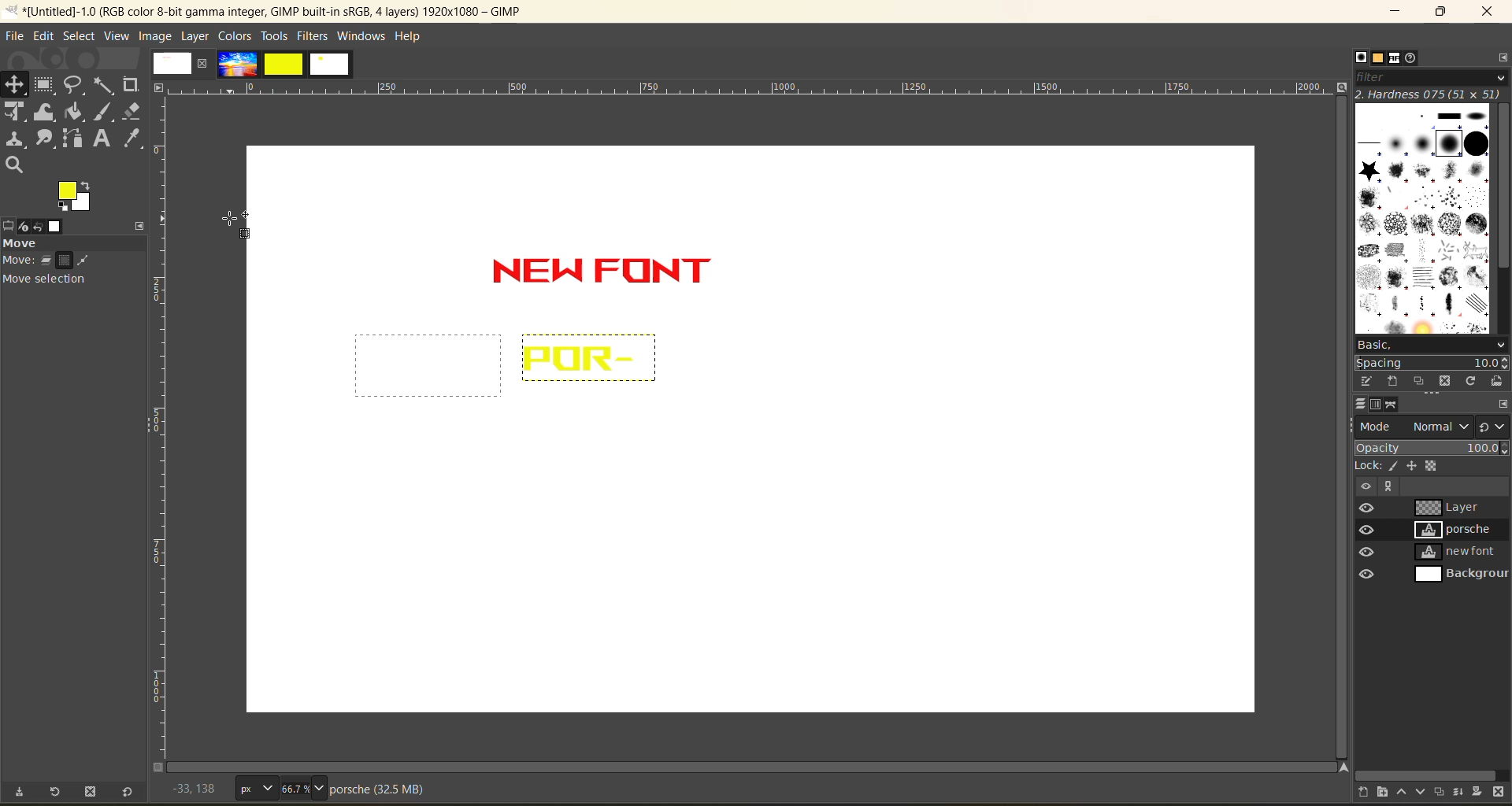 The width and height of the screenshot is (1512, 806). Describe the element at coordinates (1393, 467) in the screenshot. I see `pixel` at that location.